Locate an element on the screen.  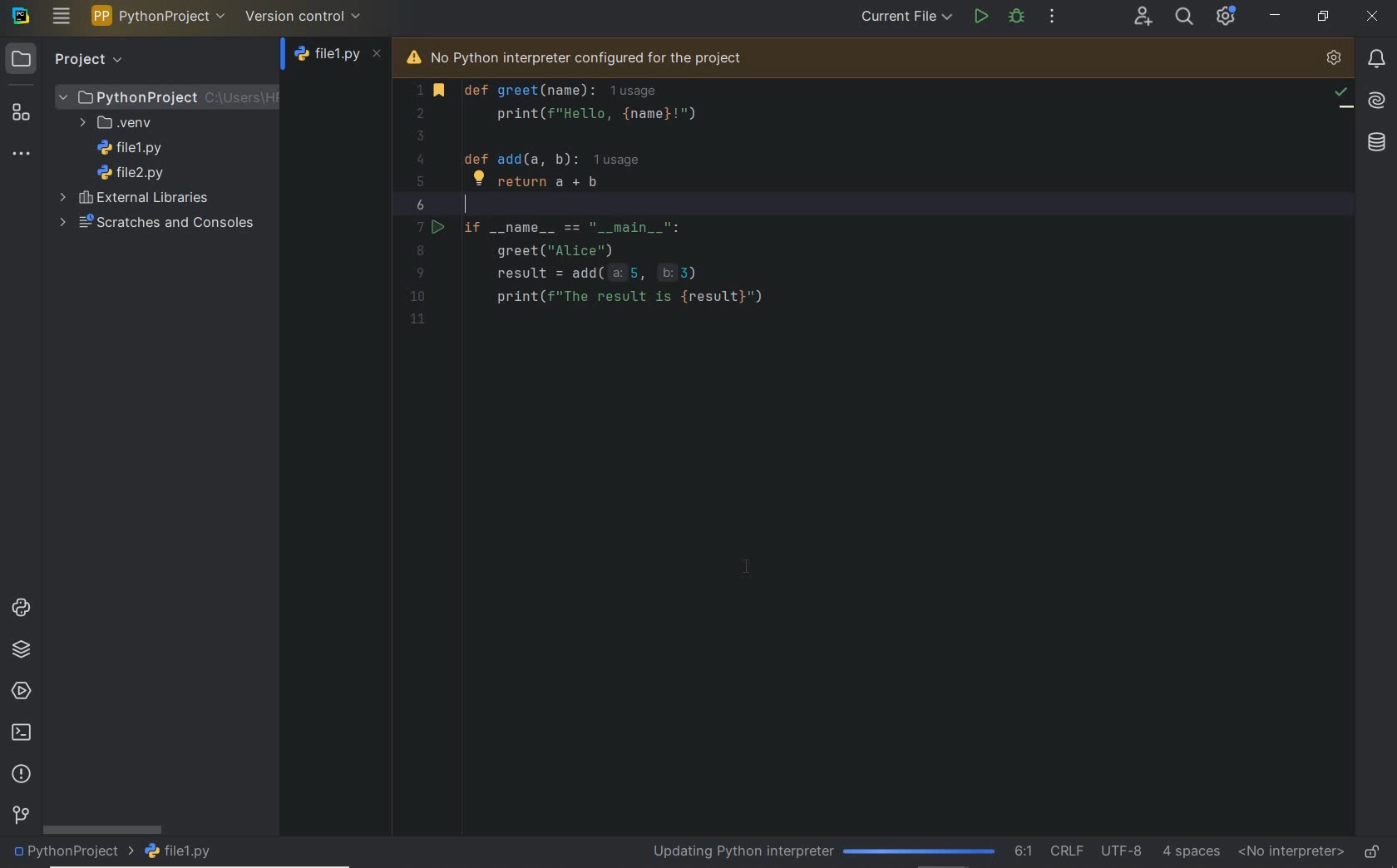
problems is located at coordinates (23, 775).